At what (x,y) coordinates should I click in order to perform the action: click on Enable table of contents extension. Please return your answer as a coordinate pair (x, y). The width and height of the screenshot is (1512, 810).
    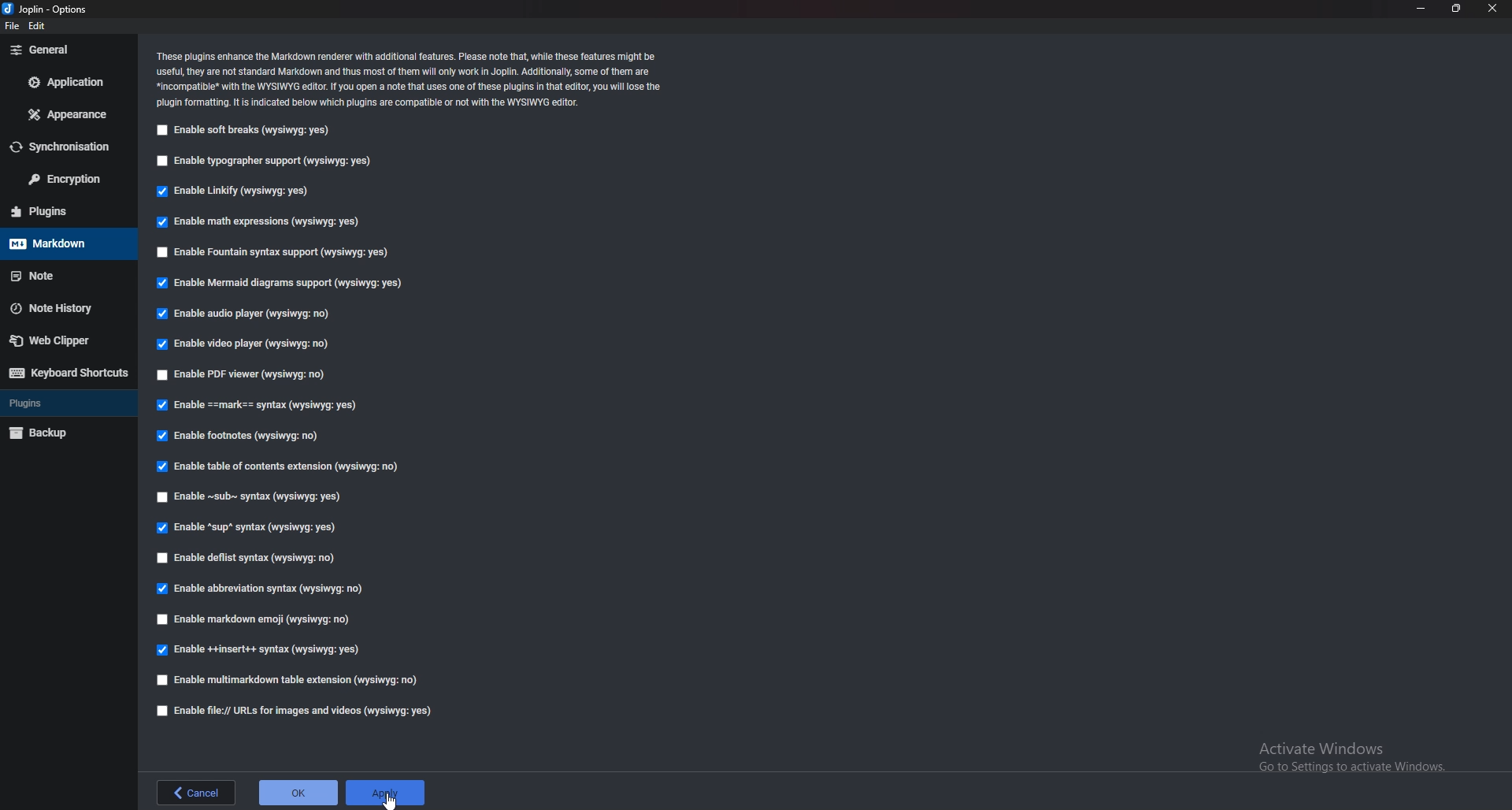
    Looking at the image, I should click on (279, 467).